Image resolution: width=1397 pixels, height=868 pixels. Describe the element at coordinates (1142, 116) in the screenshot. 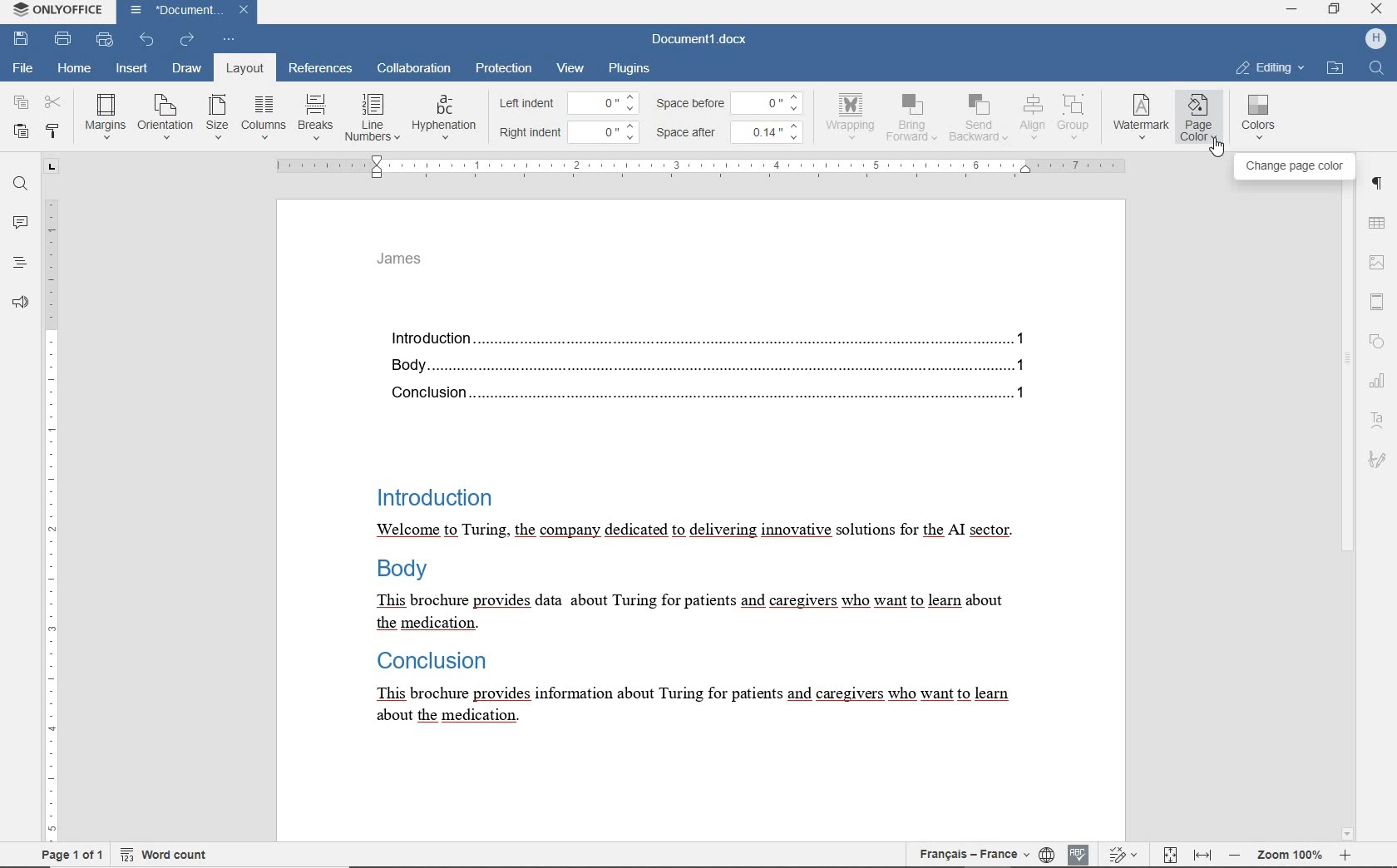

I see `watermark` at that location.